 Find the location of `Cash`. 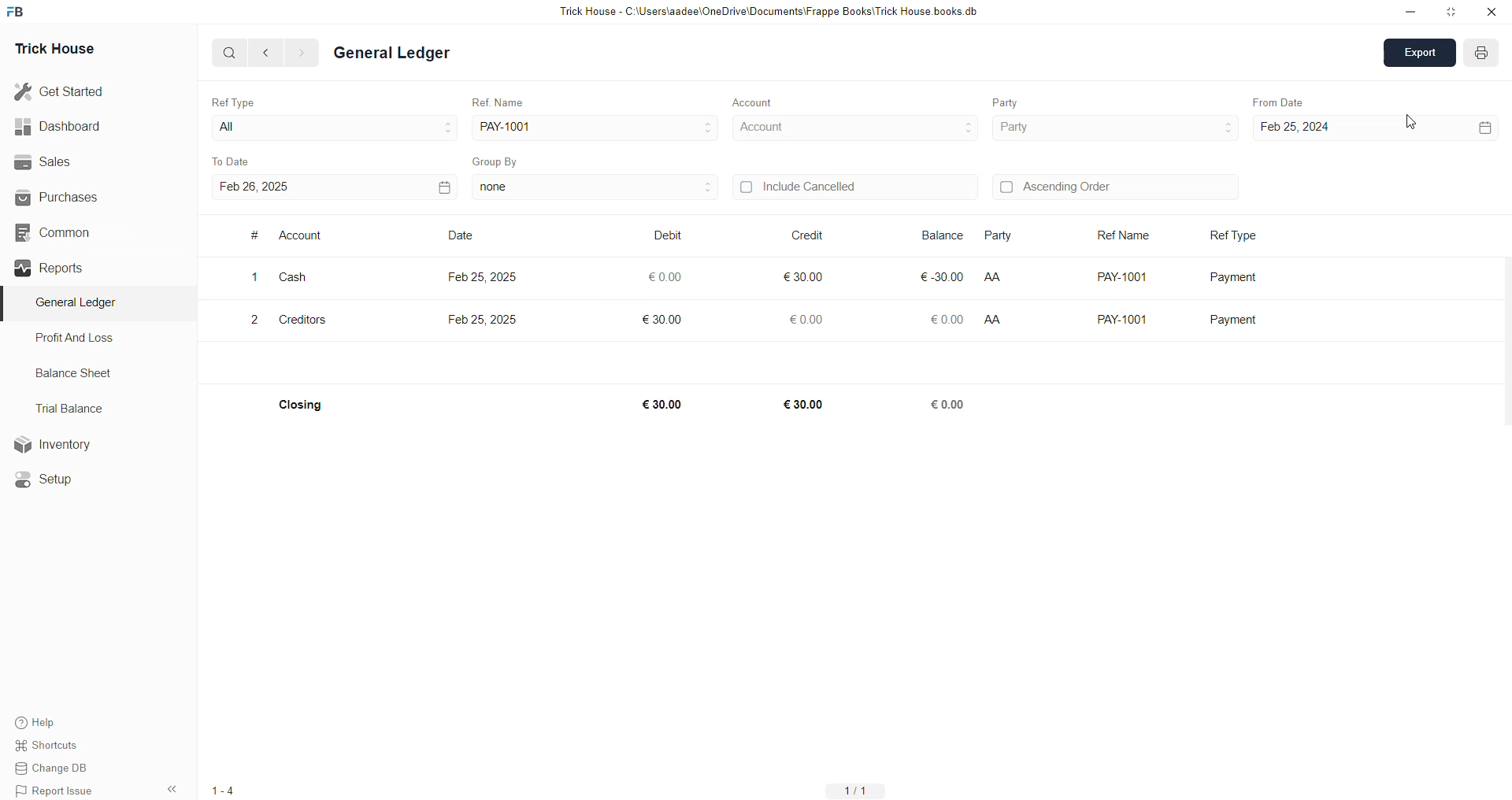

Cash is located at coordinates (295, 276).